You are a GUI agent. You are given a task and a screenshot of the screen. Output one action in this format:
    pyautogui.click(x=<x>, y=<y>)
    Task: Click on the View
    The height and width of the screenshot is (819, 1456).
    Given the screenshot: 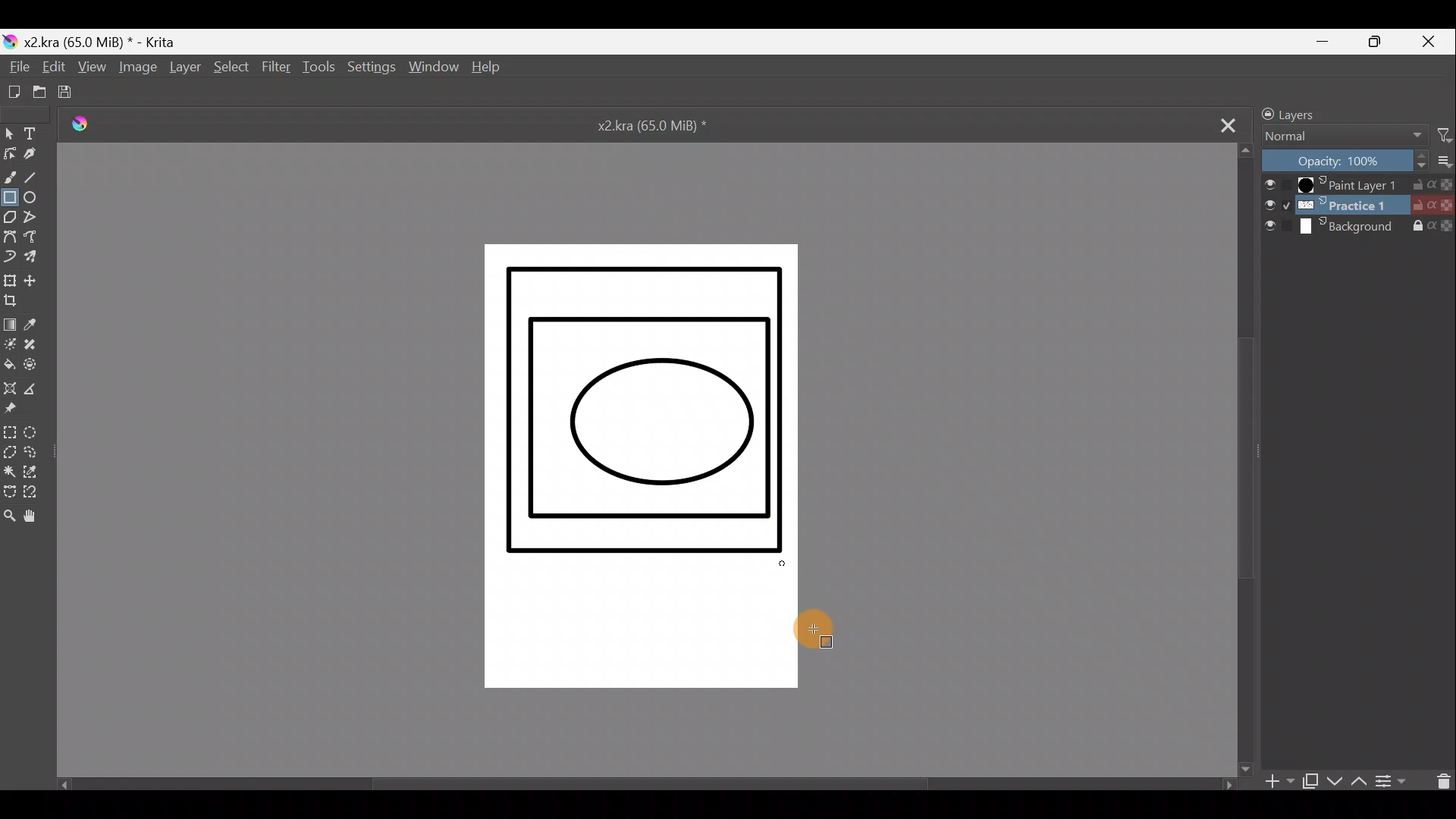 What is the action you would take?
    pyautogui.click(x=92, y=67)
    